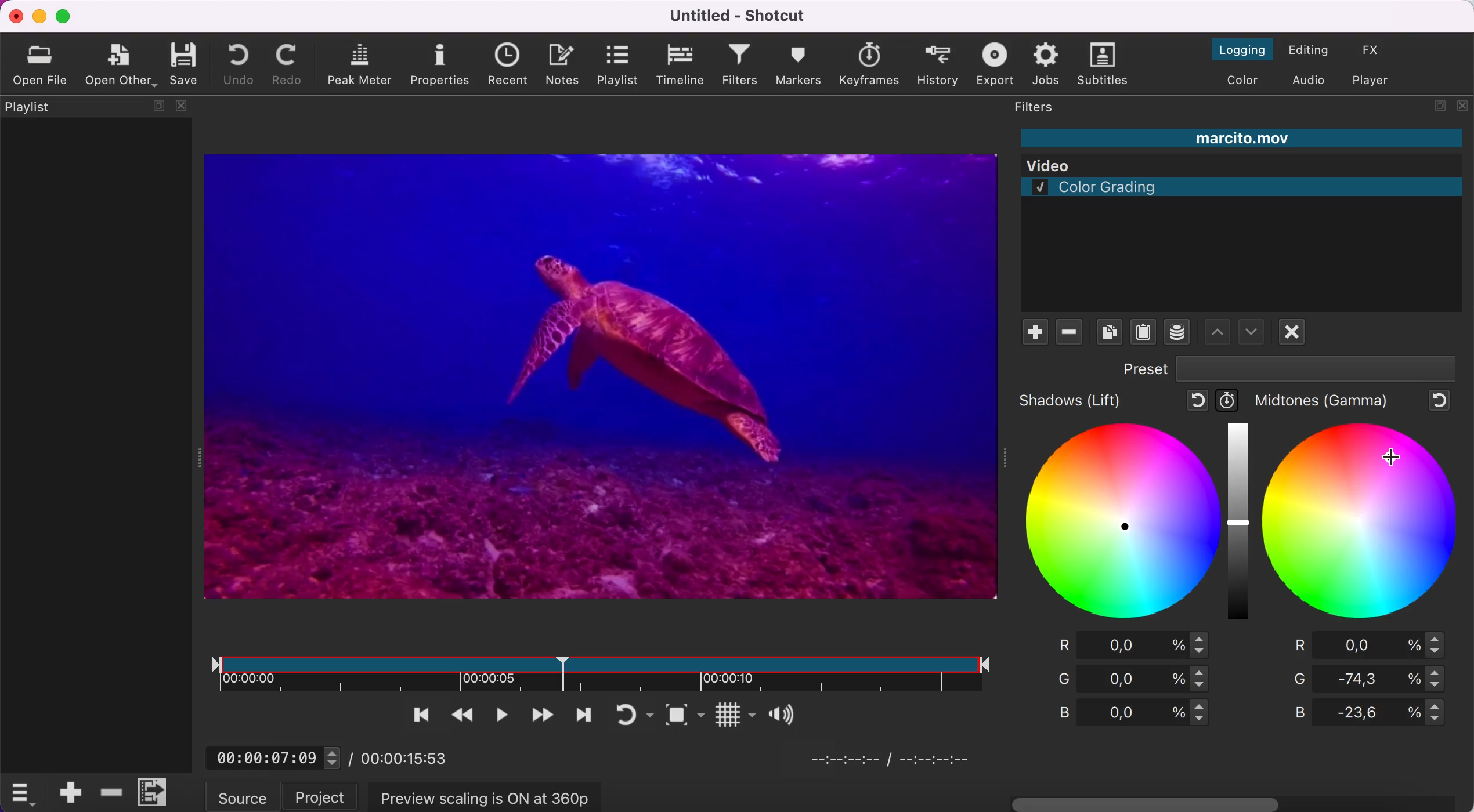  What do you see at coordinates (38, 64) in the screenshot?
I see `open file` at bounding box center [38, 64].